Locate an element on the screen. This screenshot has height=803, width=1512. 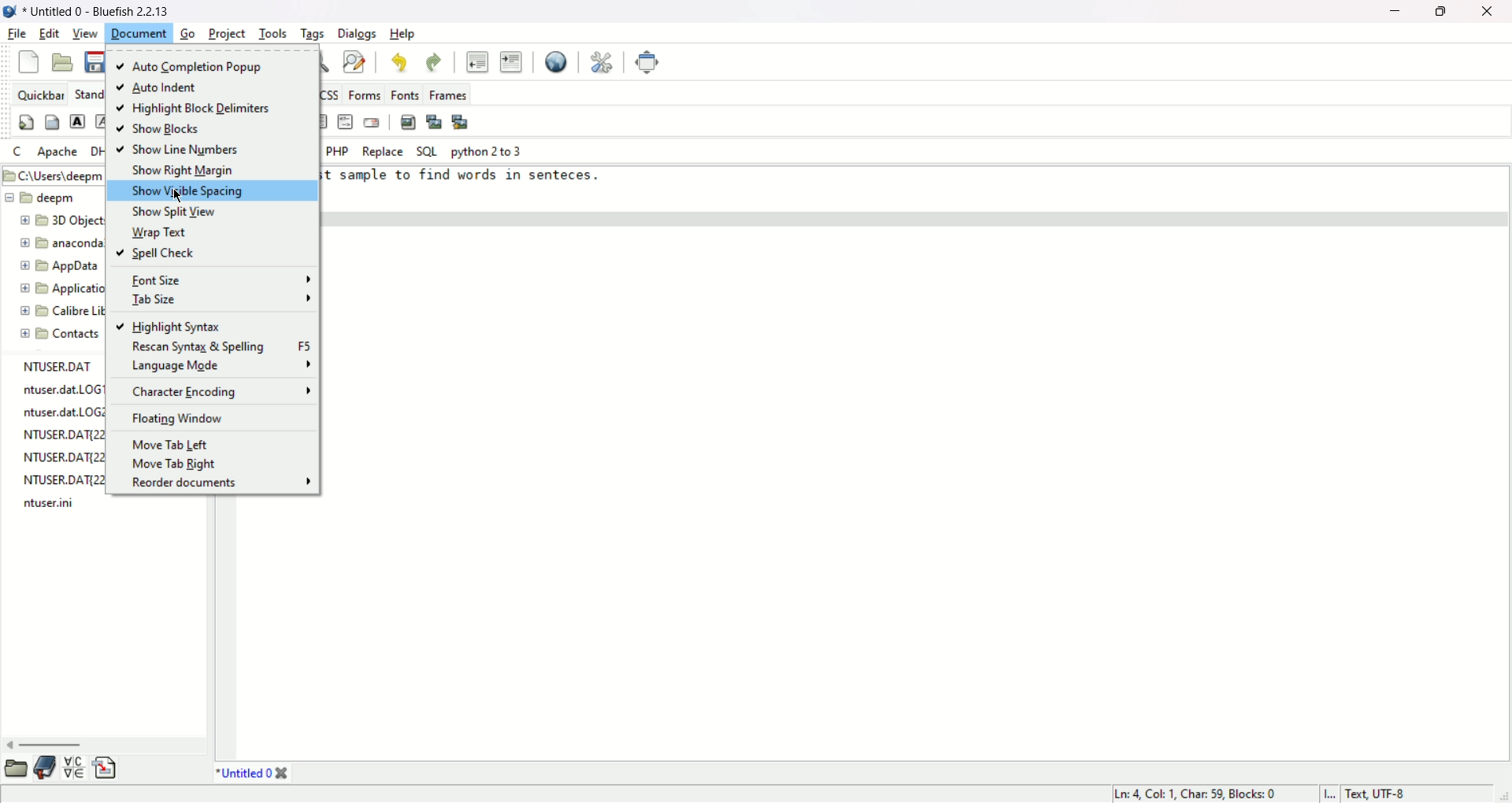
NTUSER.DAT{22128aa0-2361-11ee- is located at coordinates (62, 457).